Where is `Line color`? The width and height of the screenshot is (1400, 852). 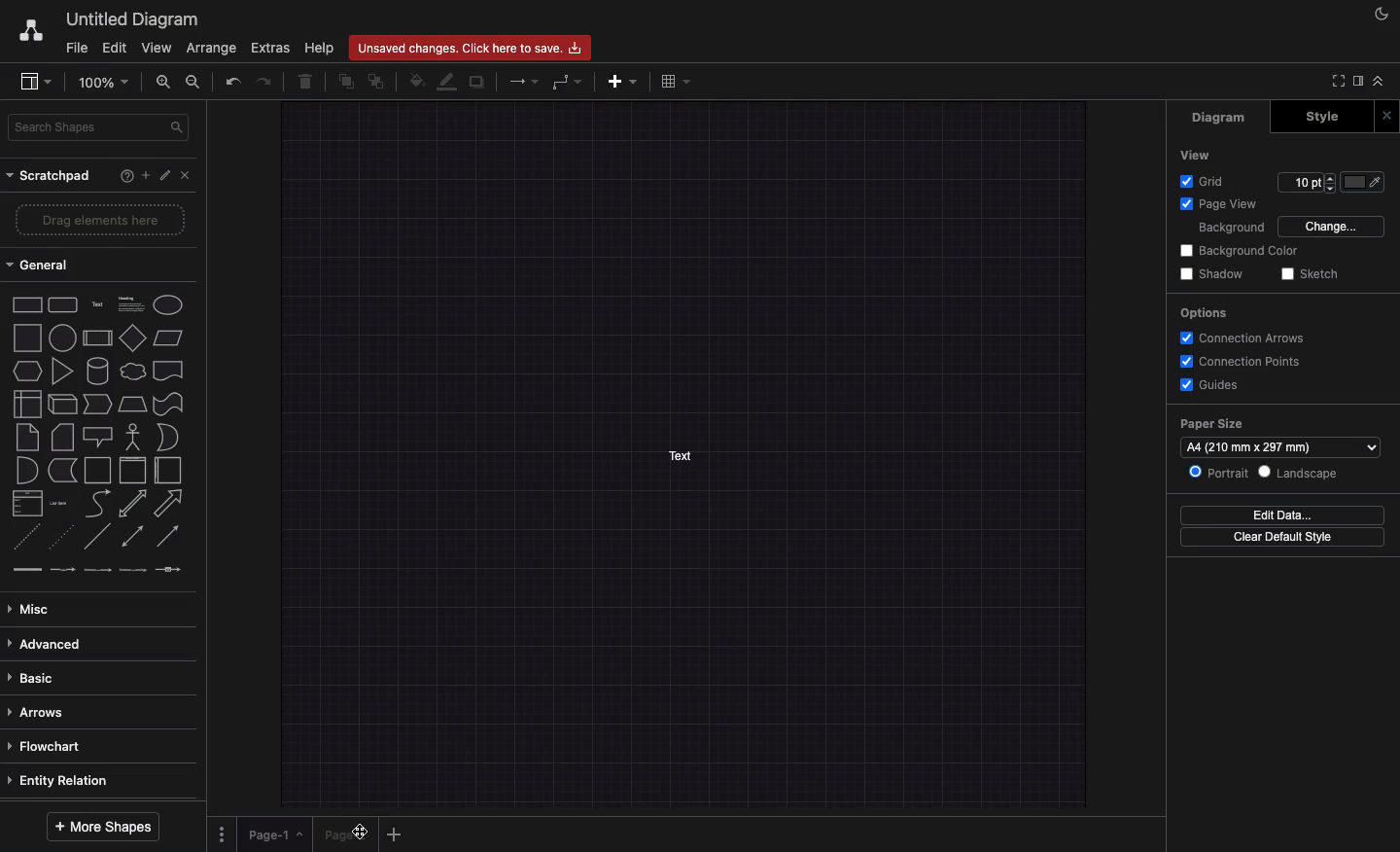
Line color is located at coordinates (447, 83).